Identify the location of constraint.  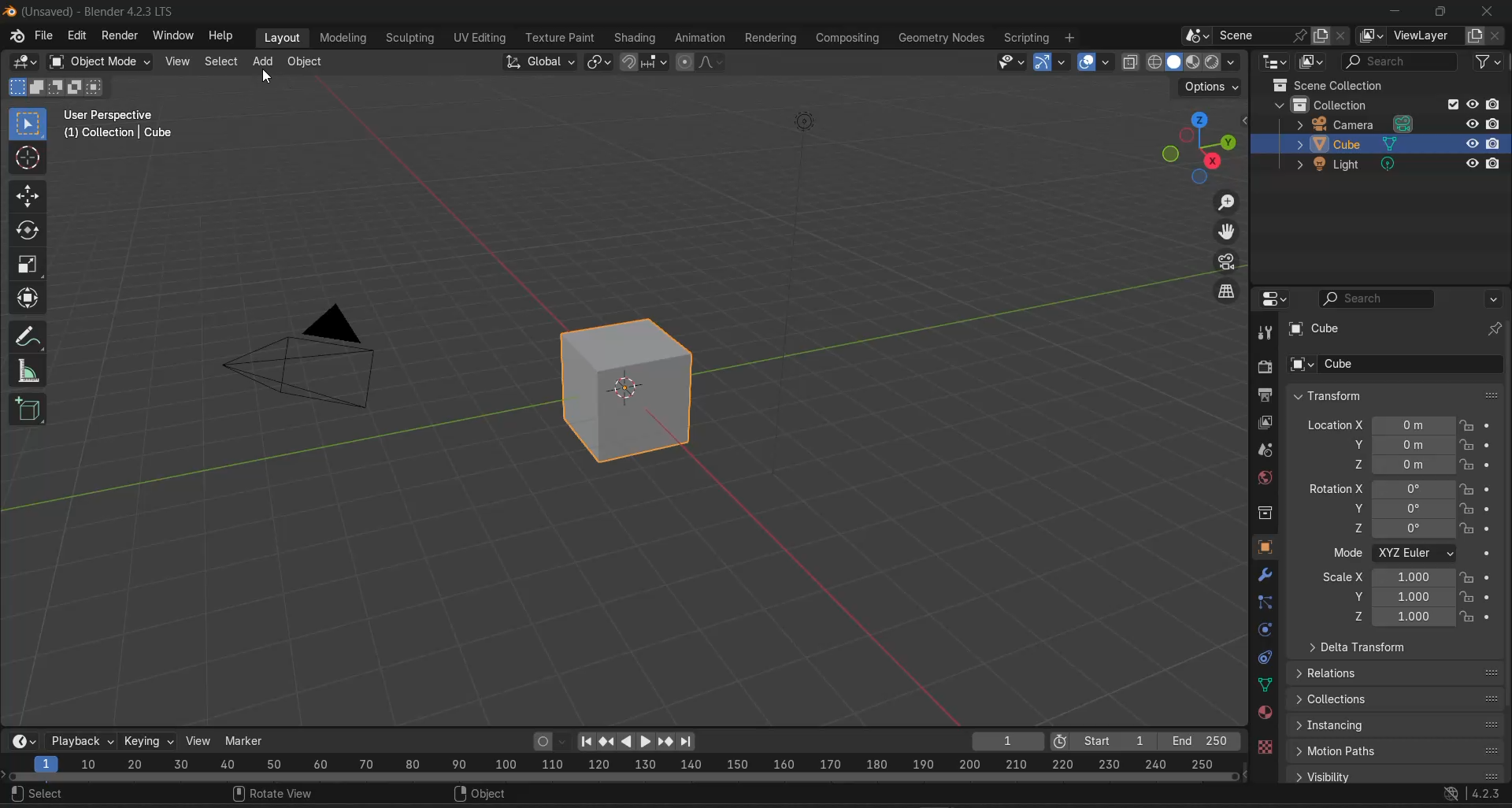
(1265, 658).